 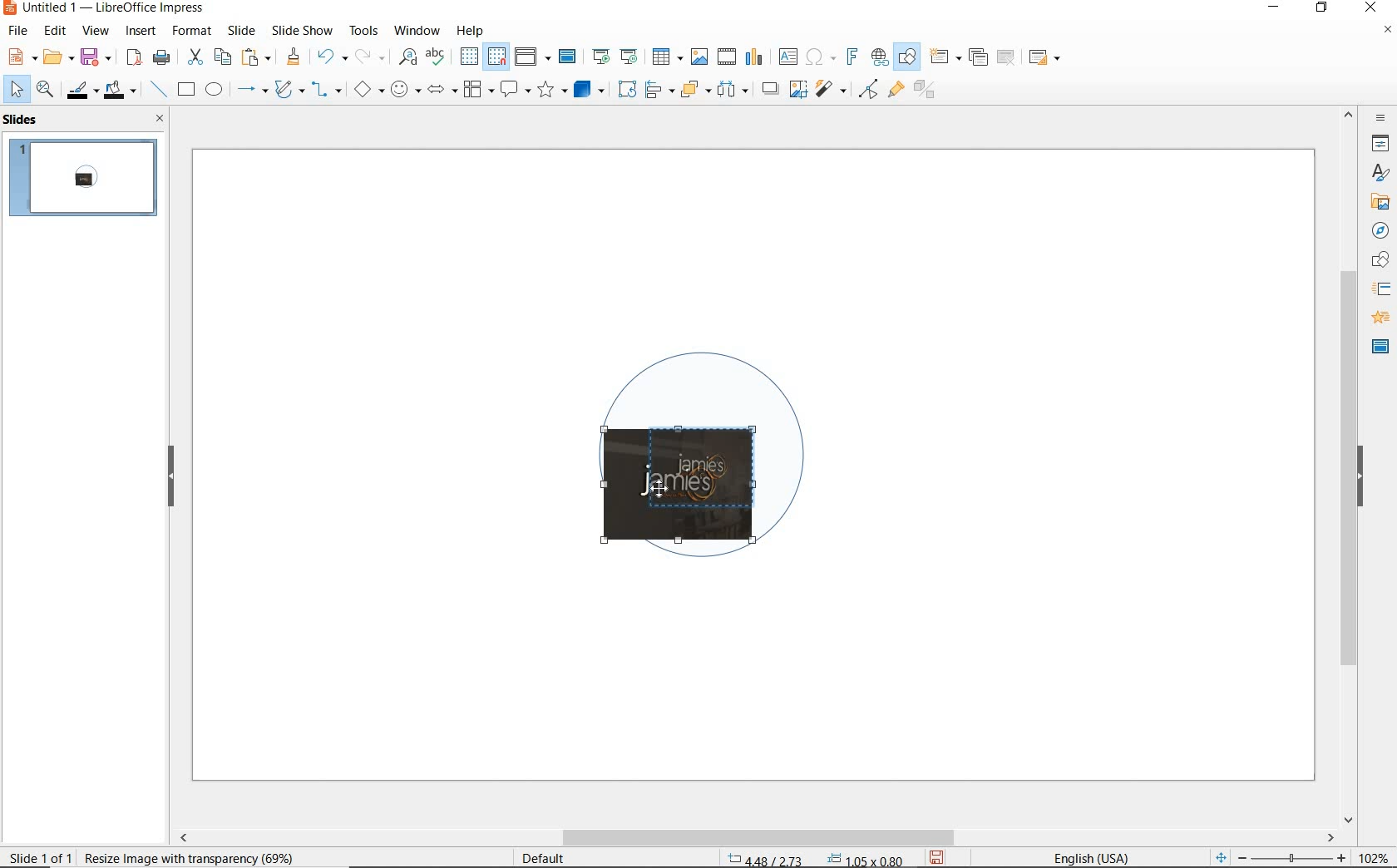 I want to click on close document, so click(x=1387, y=33).